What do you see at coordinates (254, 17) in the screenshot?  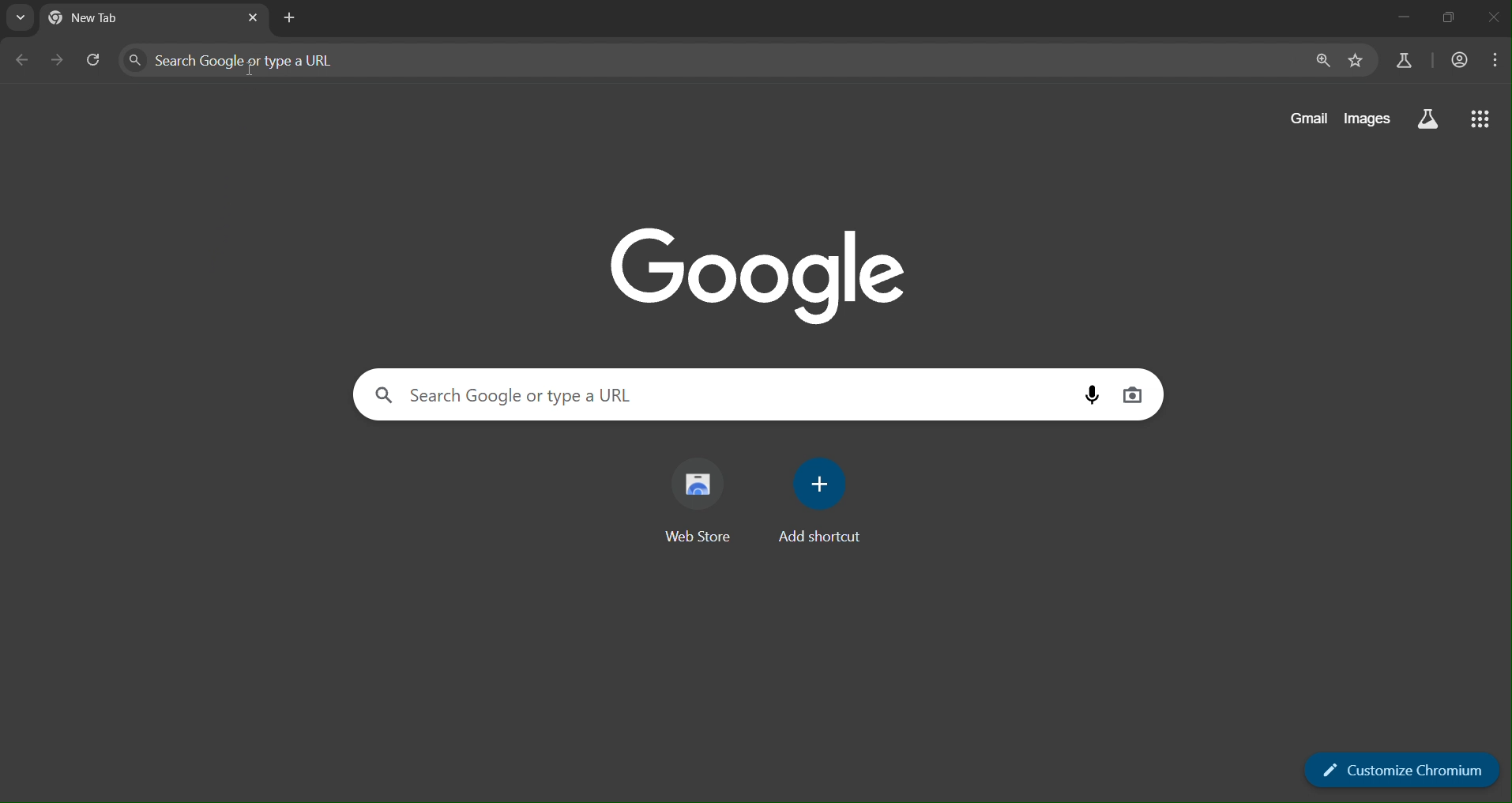 I see `close tab` at bounding box center [254, 17].